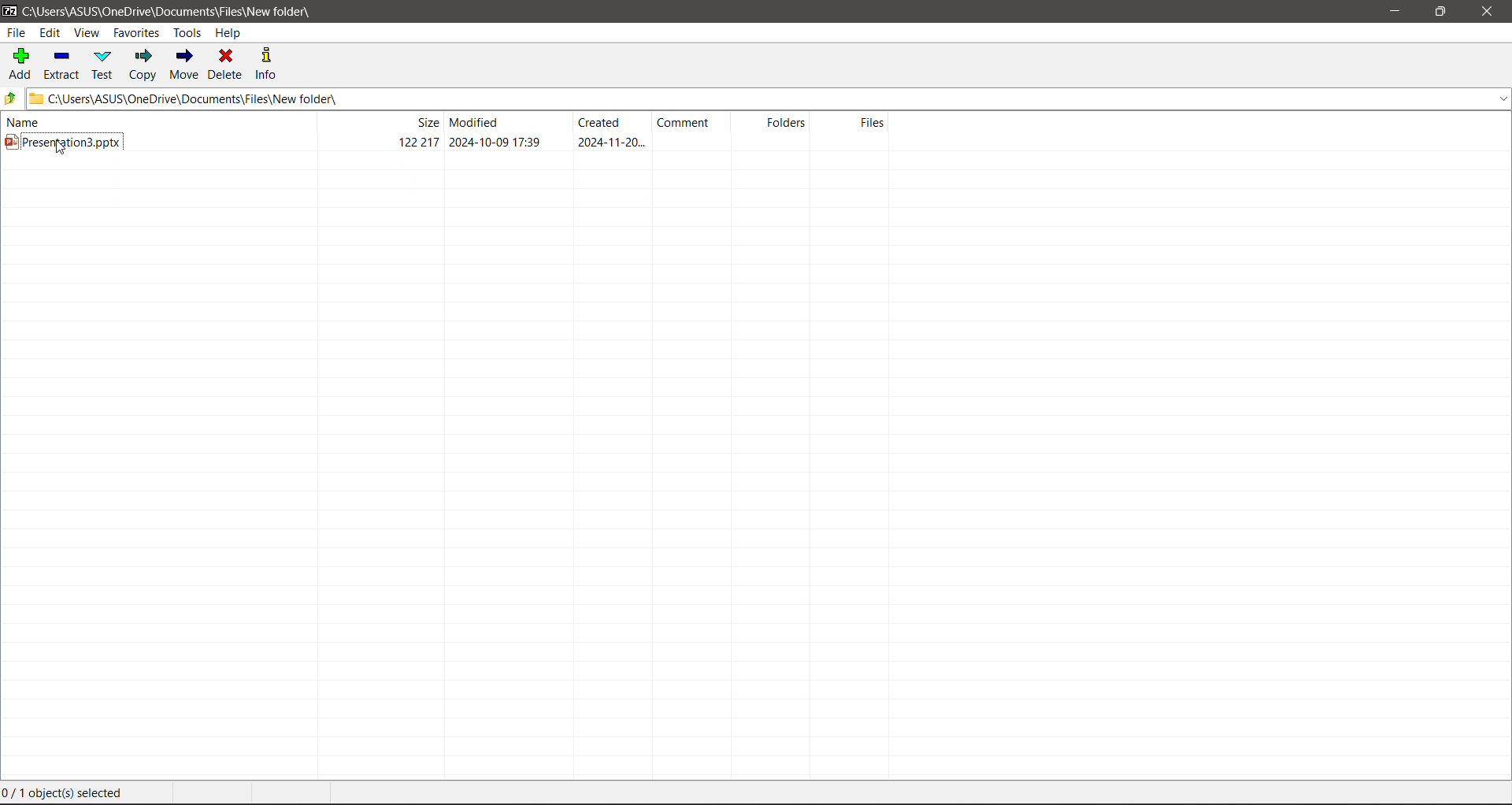 Image resolution: width=1512 pixels, height=805 pixels. What do you see at coordinates (1441, 10) in the screenshot?
I see `Restore Down` at bounding box center [1441, 10].